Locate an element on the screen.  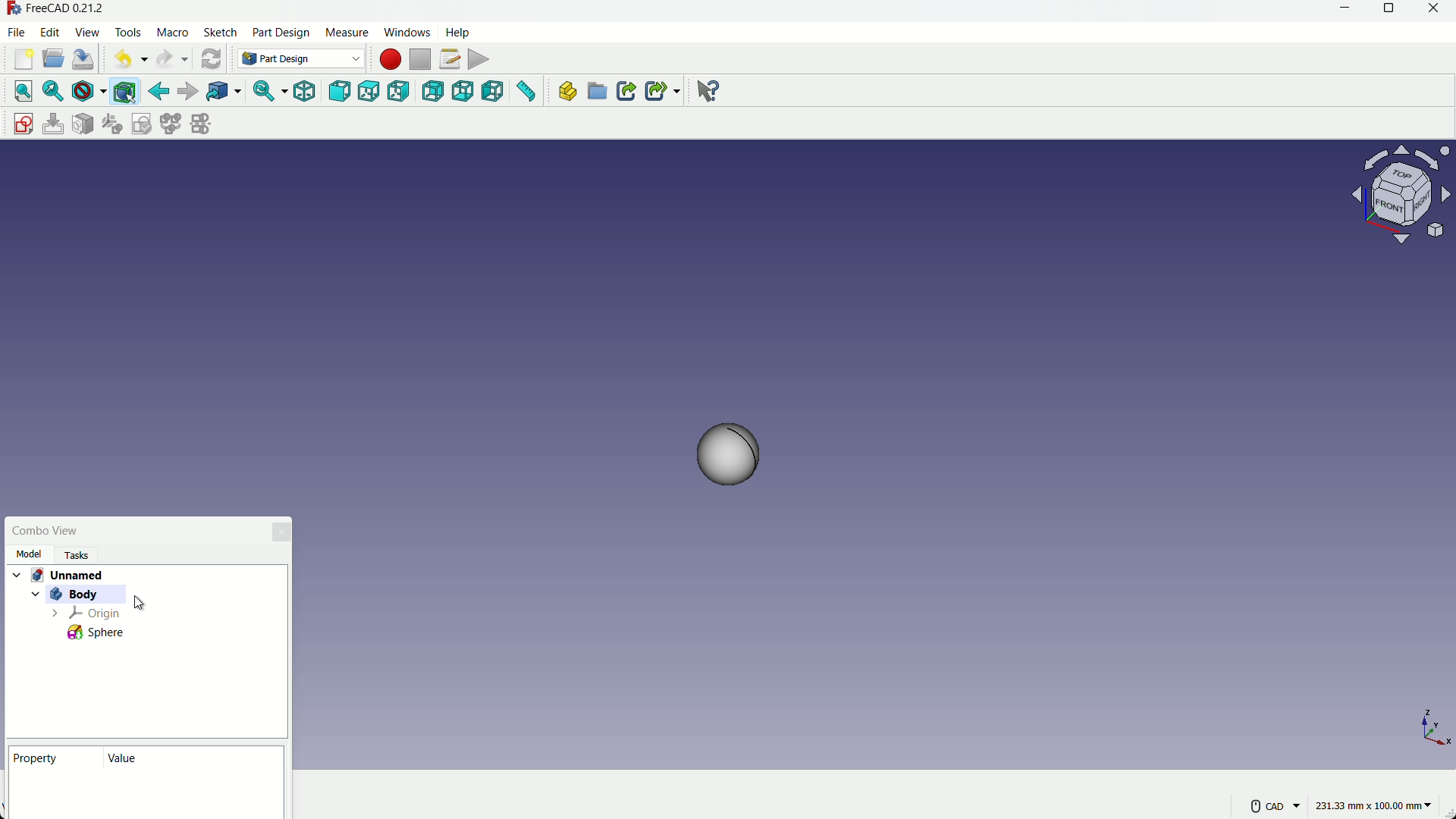
refresh is located at coordinates (211, 59).